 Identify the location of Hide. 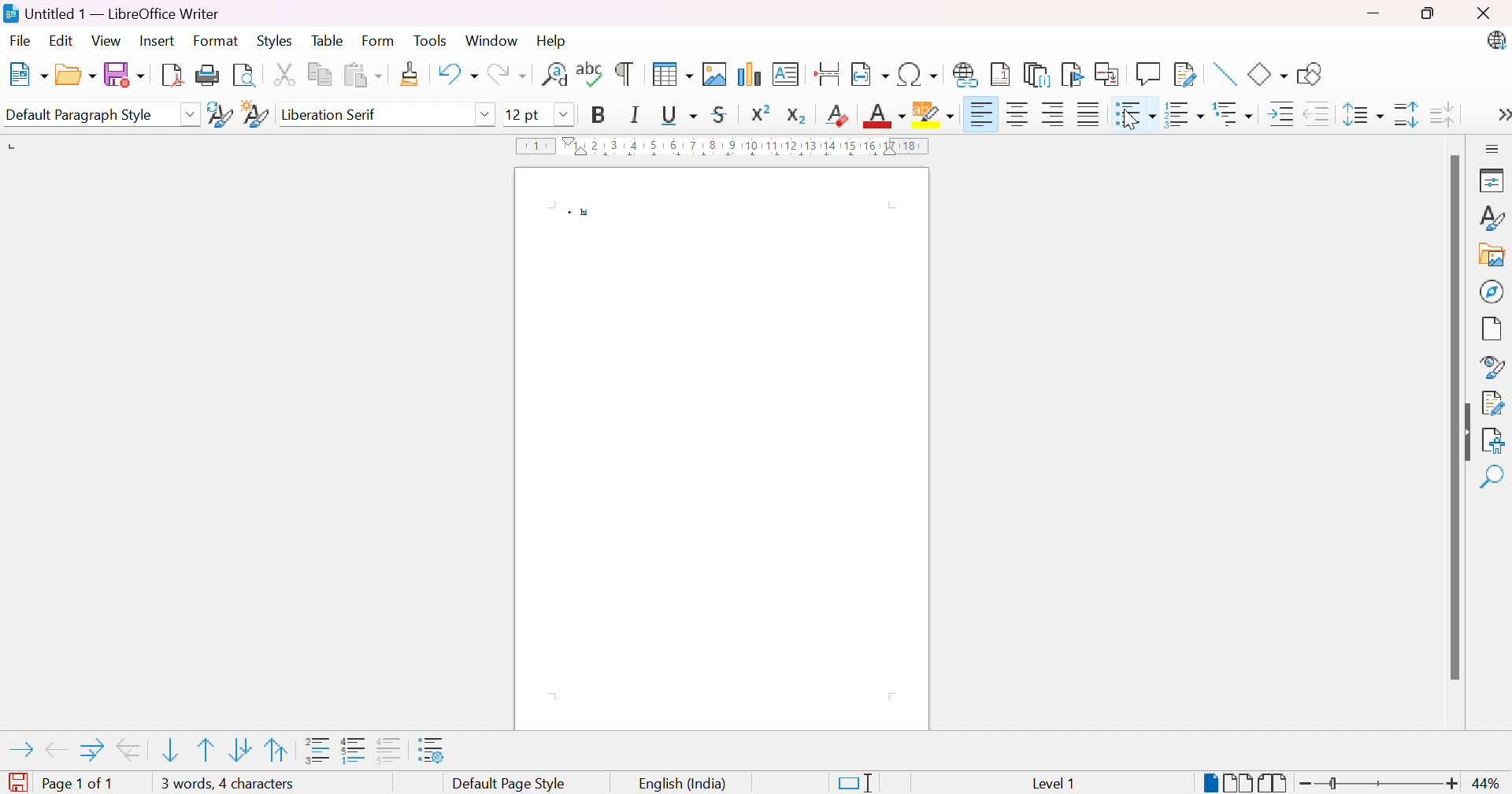
(1466, 442).